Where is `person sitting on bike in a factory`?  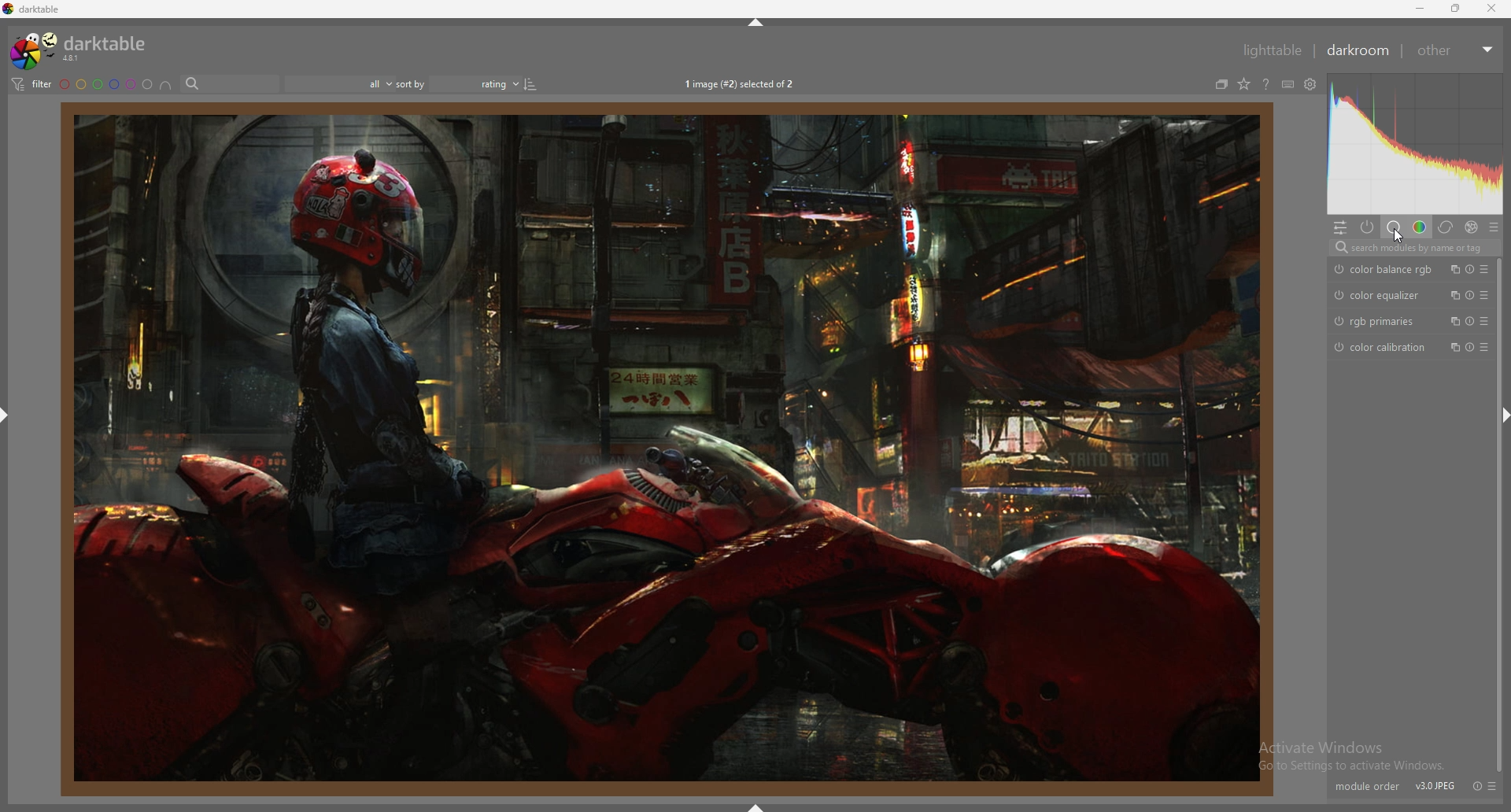
person sitting on bike in a factory is located at coordinates (663, 447).